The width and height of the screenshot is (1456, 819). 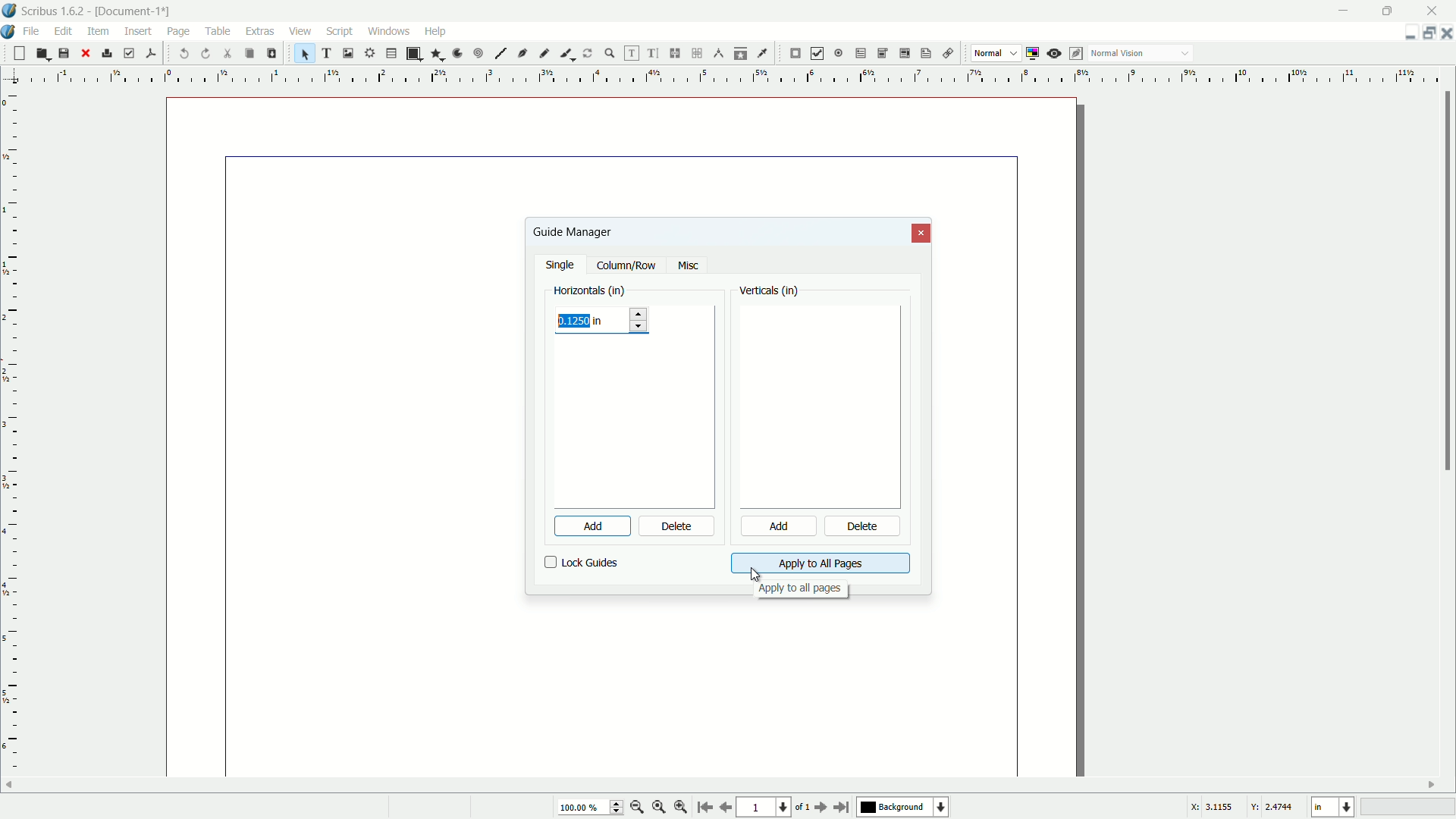 I want to click on link text frames, so click(x=676, y=53).